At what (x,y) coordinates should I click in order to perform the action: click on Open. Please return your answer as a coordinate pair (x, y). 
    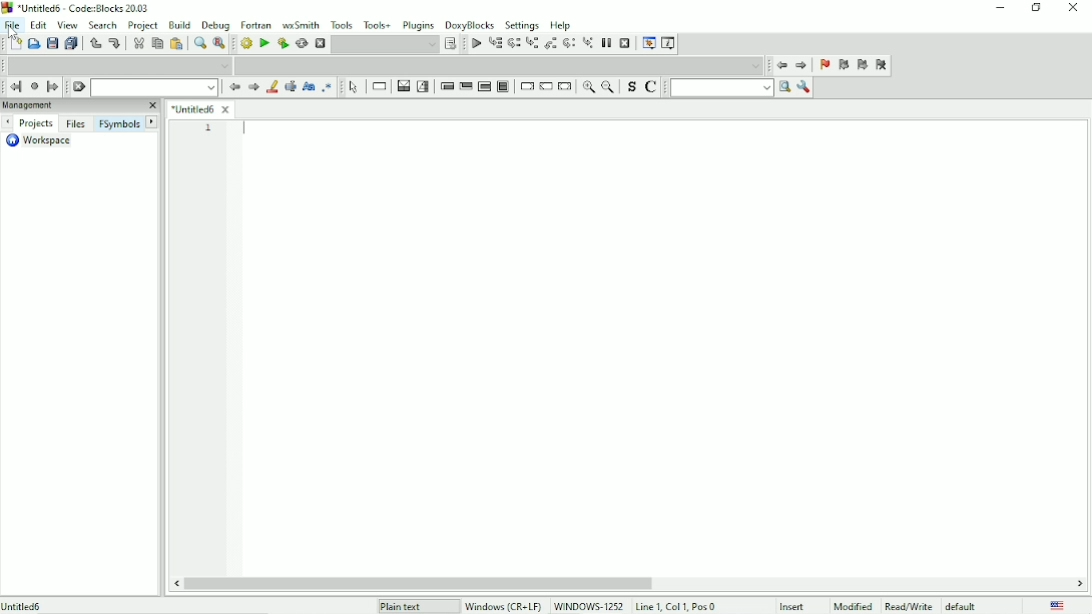
    Looking at the image, I should click on (34, 43).